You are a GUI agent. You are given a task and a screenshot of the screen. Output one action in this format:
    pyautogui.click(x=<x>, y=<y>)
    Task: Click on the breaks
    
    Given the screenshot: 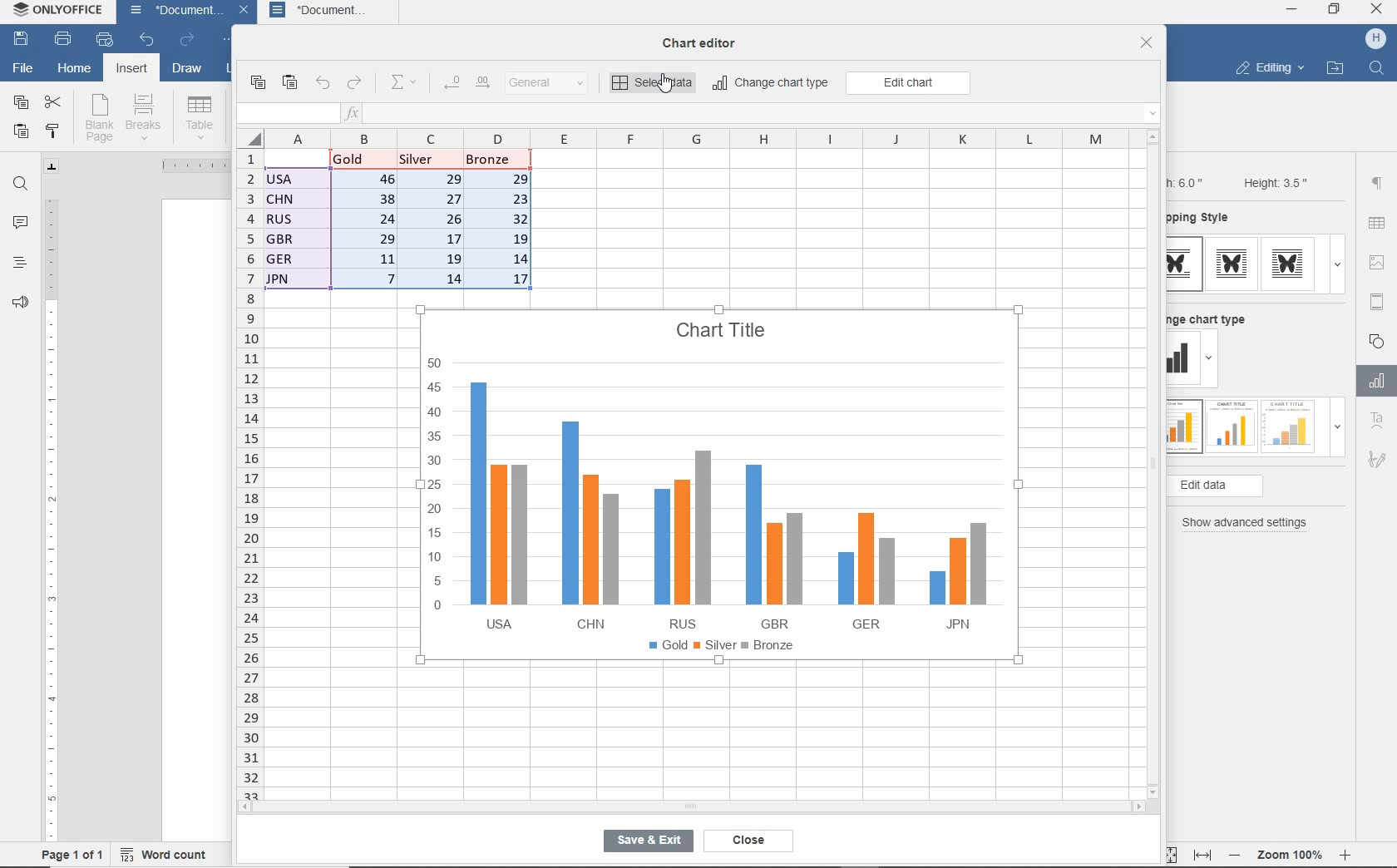 What is the action you would take?
    pyautogui.click(x=146, y=117)
    